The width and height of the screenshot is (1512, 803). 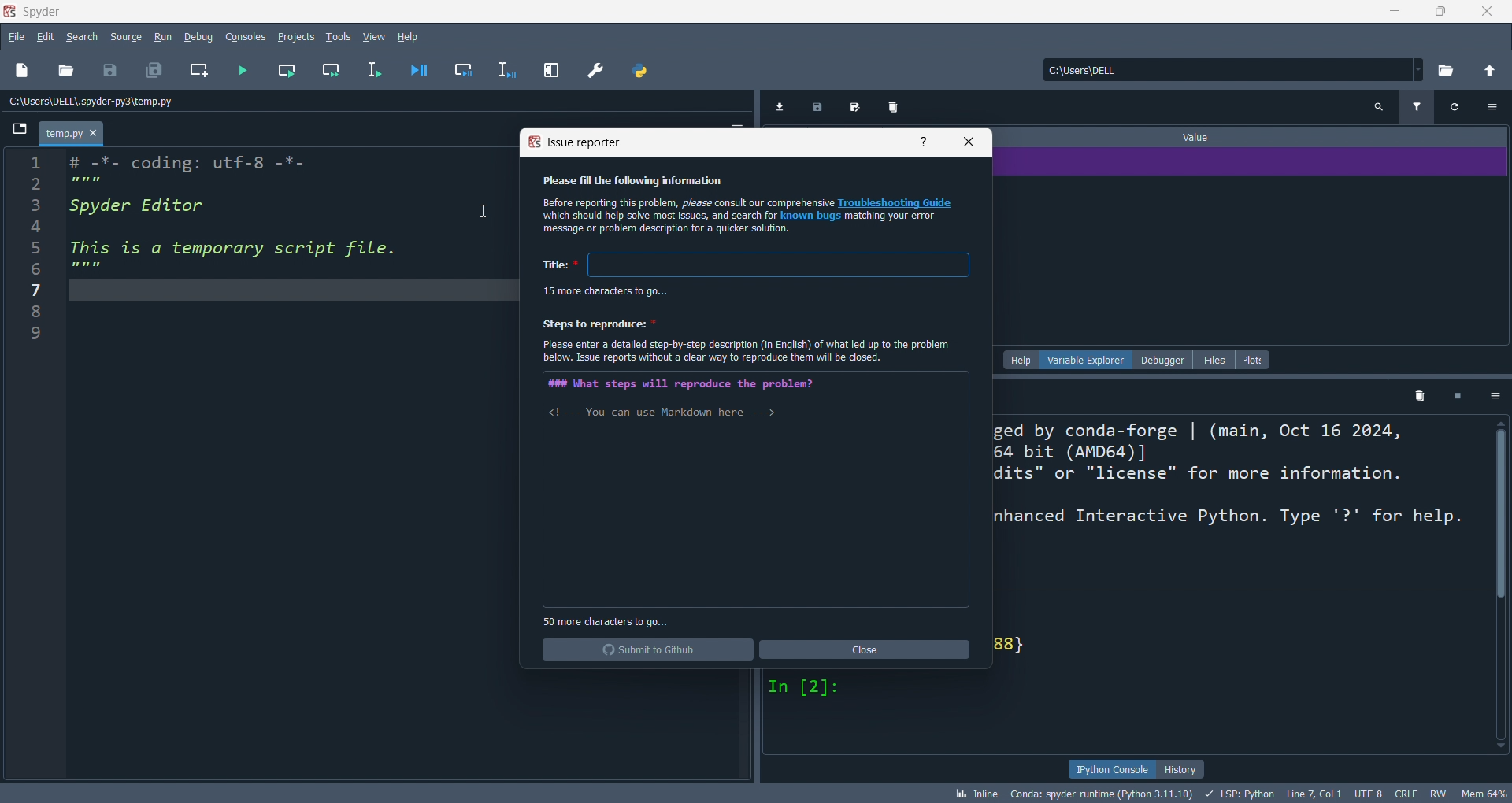 I want to click on ipython console, so click(x=1112, y=768).